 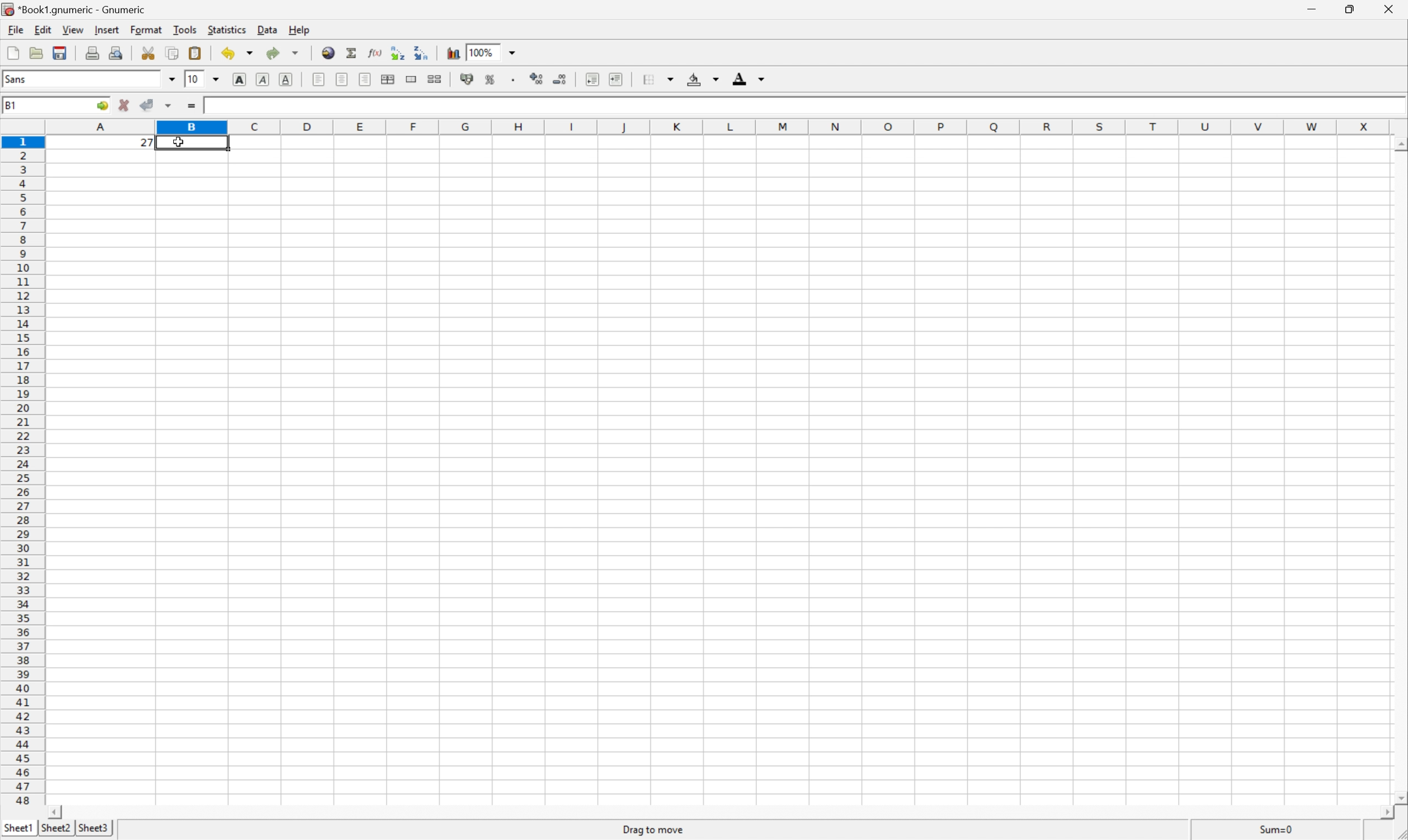 What do you see at coordinates (1312, 9) in the screenshot?
I see `Minimize` at bounding box center [1312, 9].